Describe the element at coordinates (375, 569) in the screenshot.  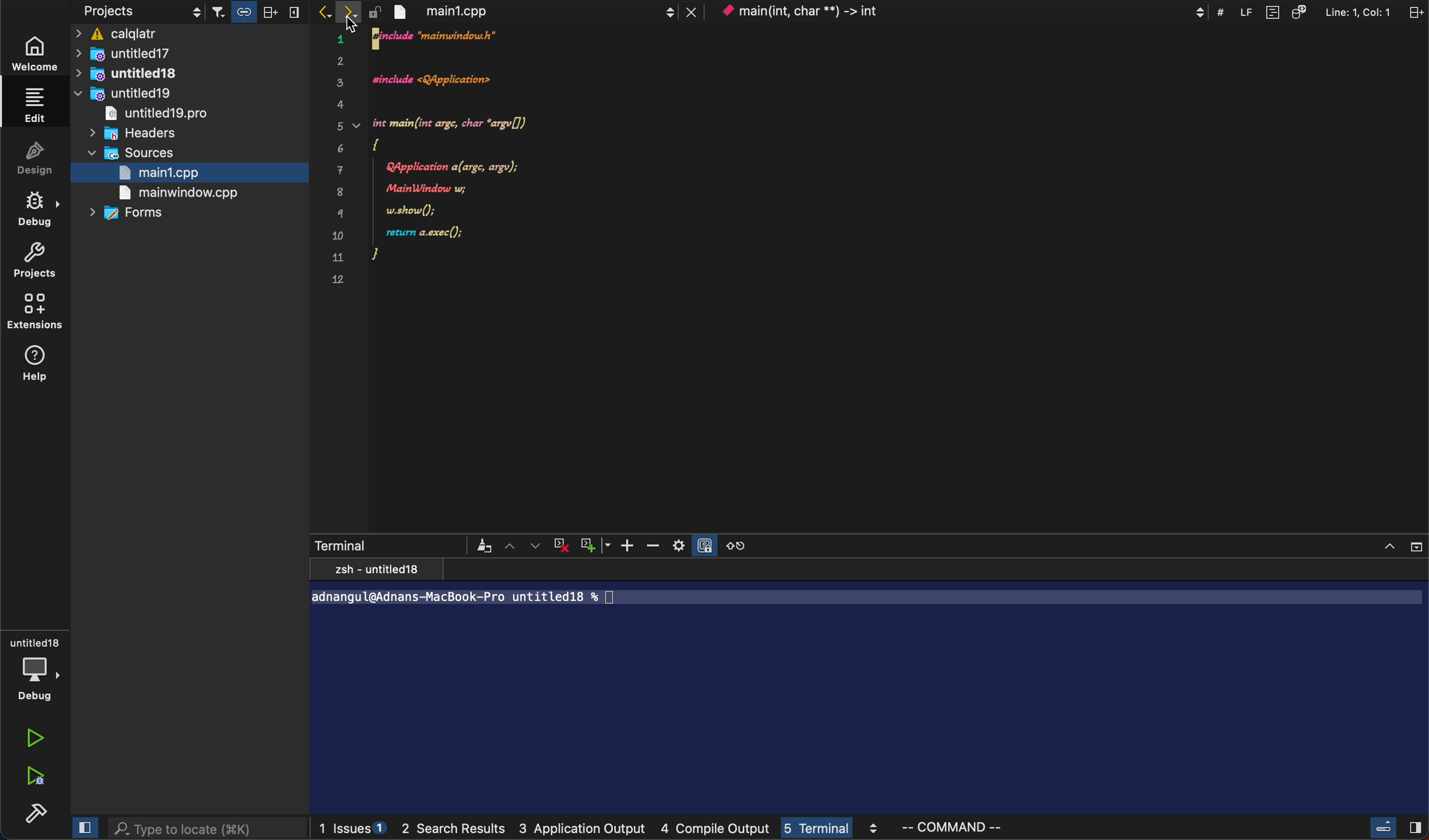
I see `text` at that location.